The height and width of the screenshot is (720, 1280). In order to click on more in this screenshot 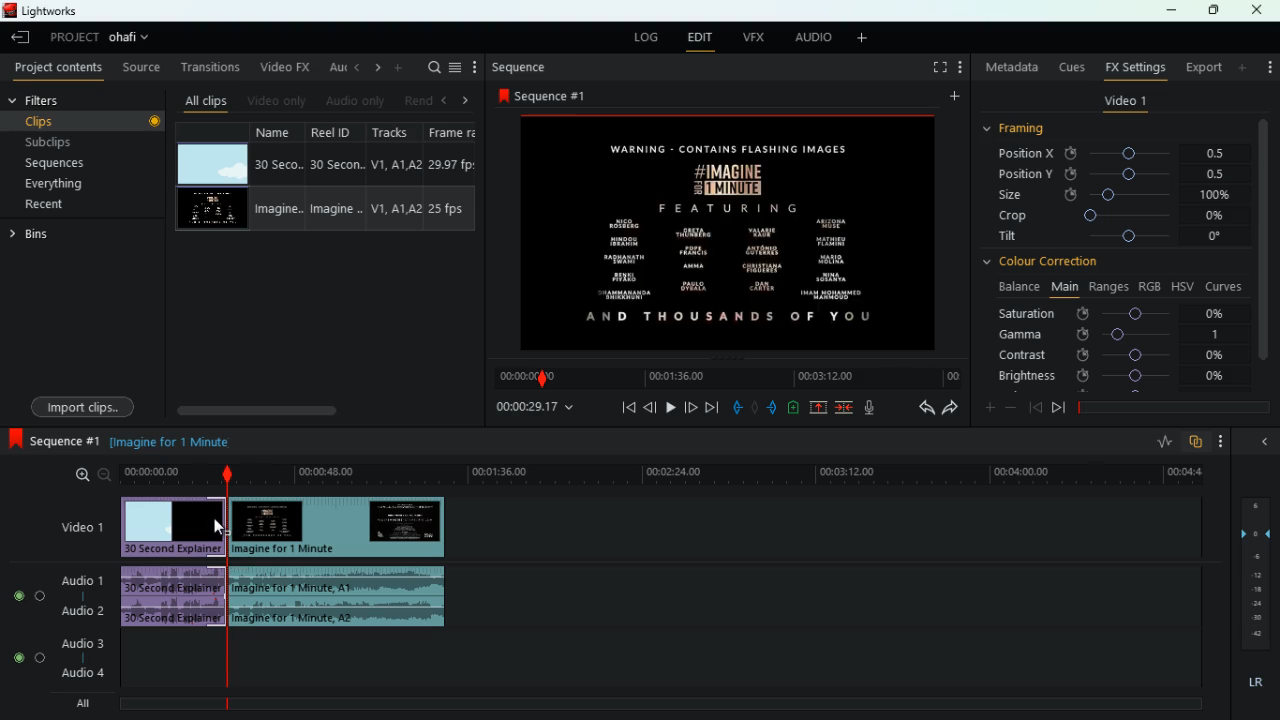, I will do `click(400, 67)`.